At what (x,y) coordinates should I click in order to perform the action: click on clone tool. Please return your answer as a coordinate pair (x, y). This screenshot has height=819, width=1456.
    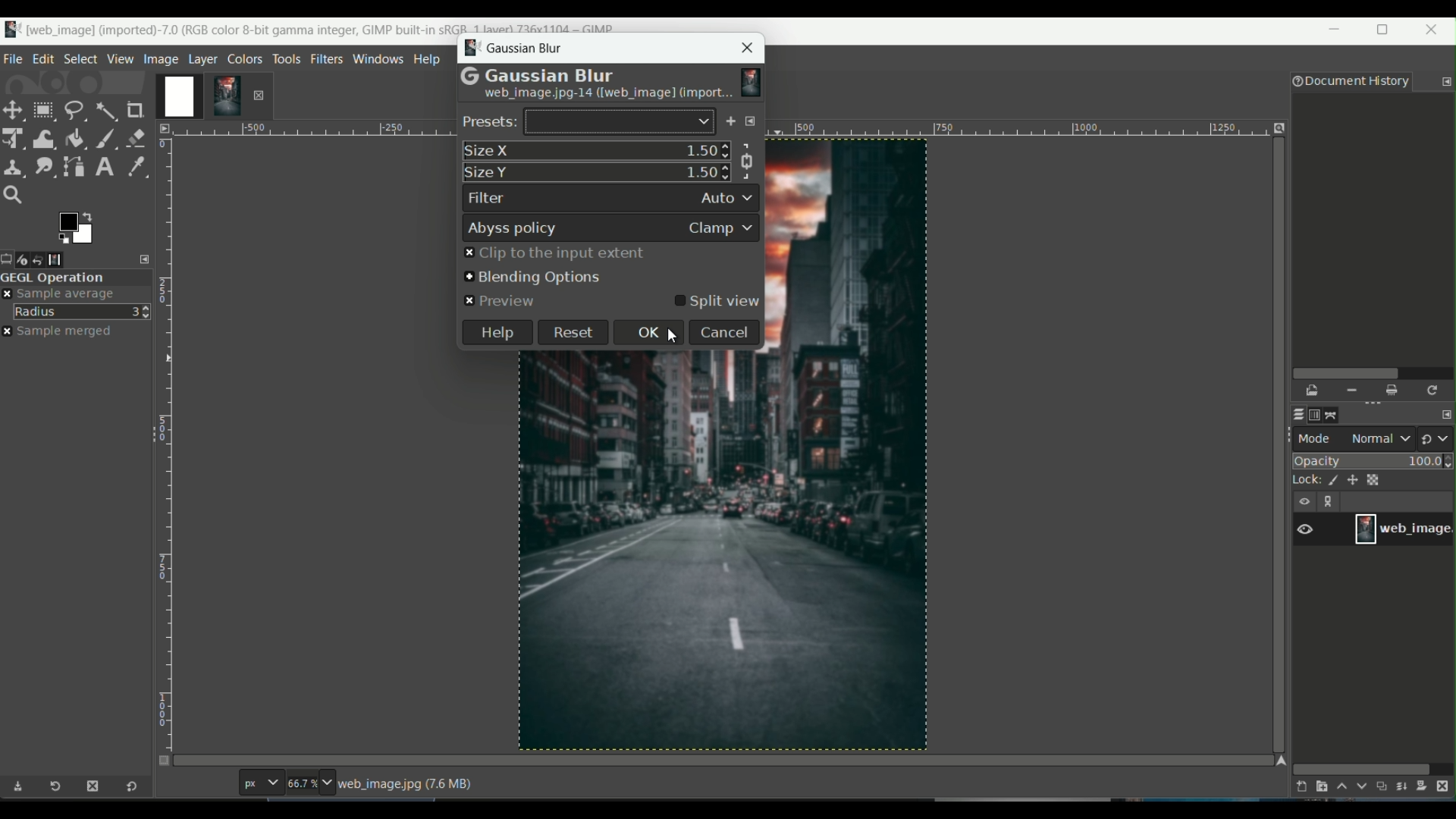
    Looking at the image, I should click on (14, 166).